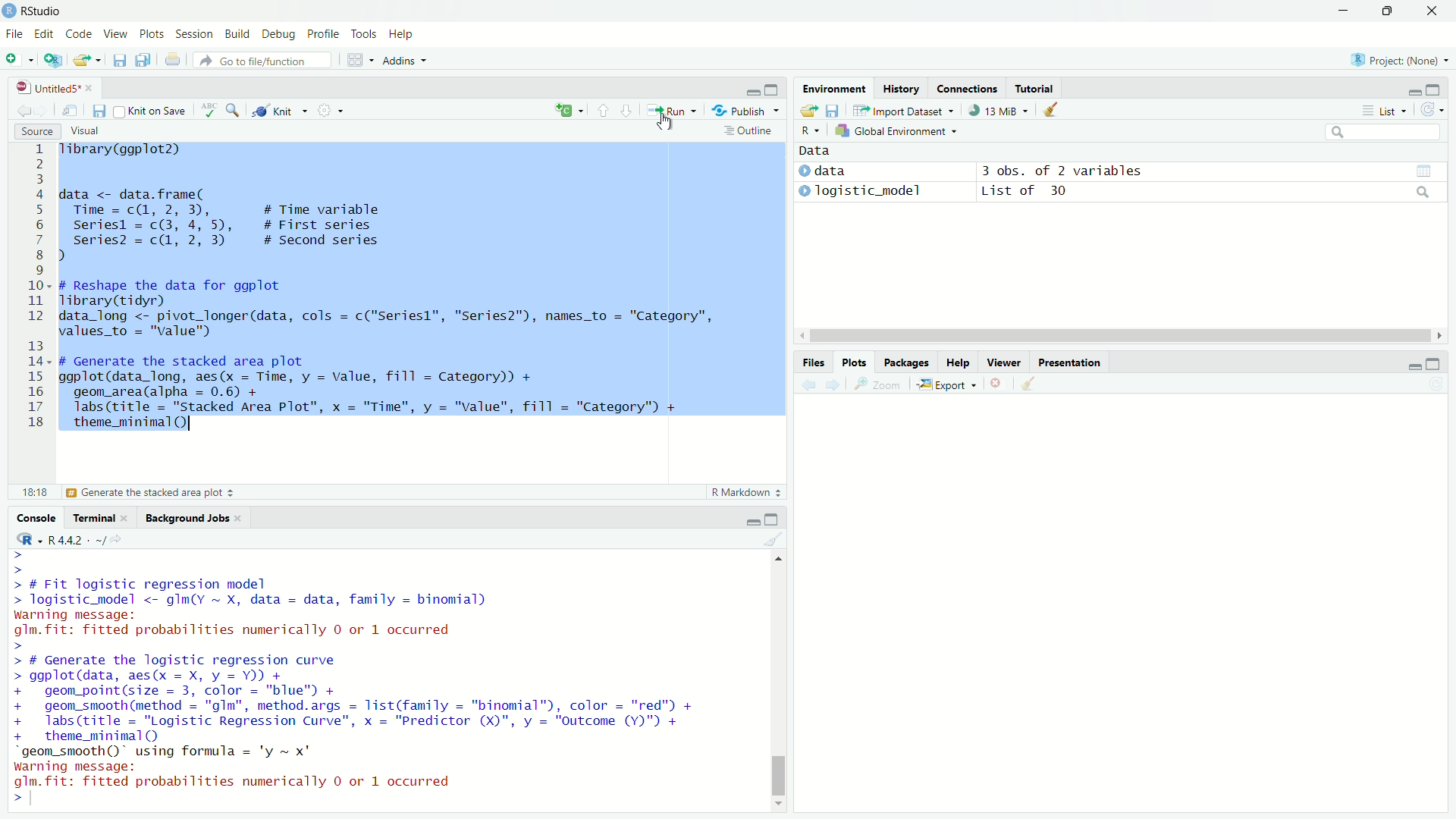 This screenshot has height=819, width=1456. What do you see at coordinates (742, 519) in the screenshot?
I see `minimise` at bounding box center [742, 519].